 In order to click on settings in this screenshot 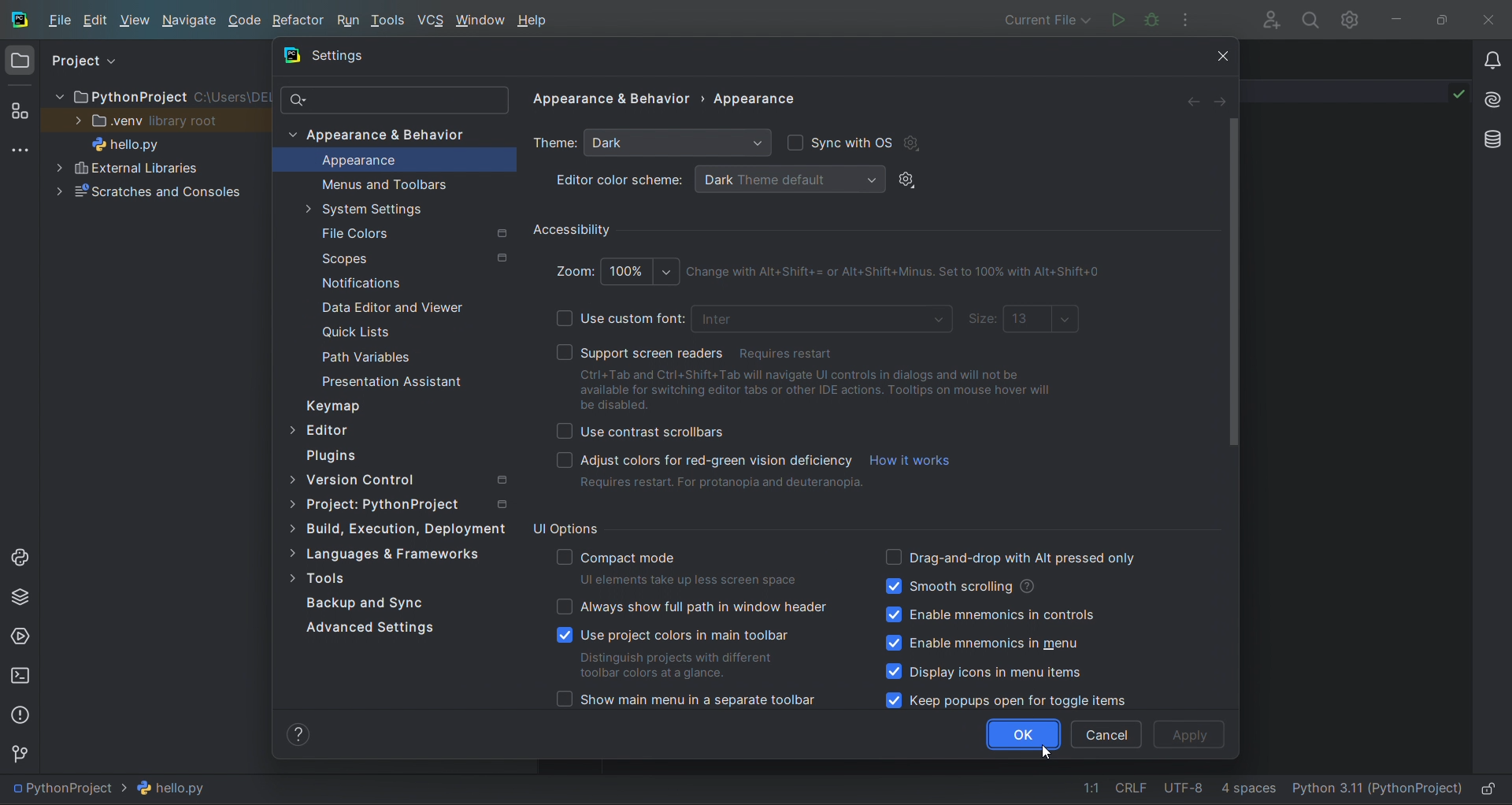, I will do `click(907, 179)`.